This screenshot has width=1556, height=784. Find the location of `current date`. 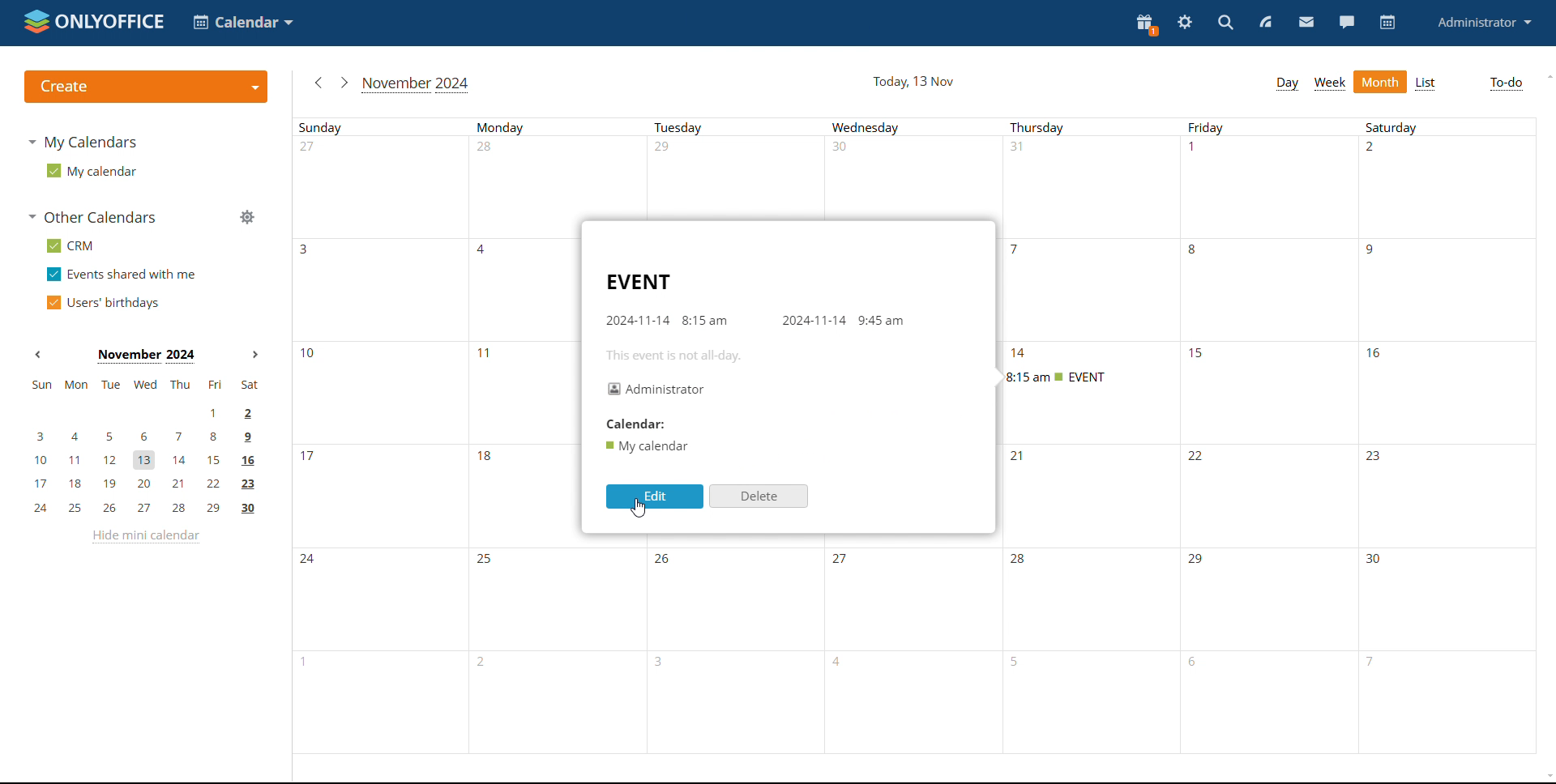

current date is located at coordinates (913, 83).